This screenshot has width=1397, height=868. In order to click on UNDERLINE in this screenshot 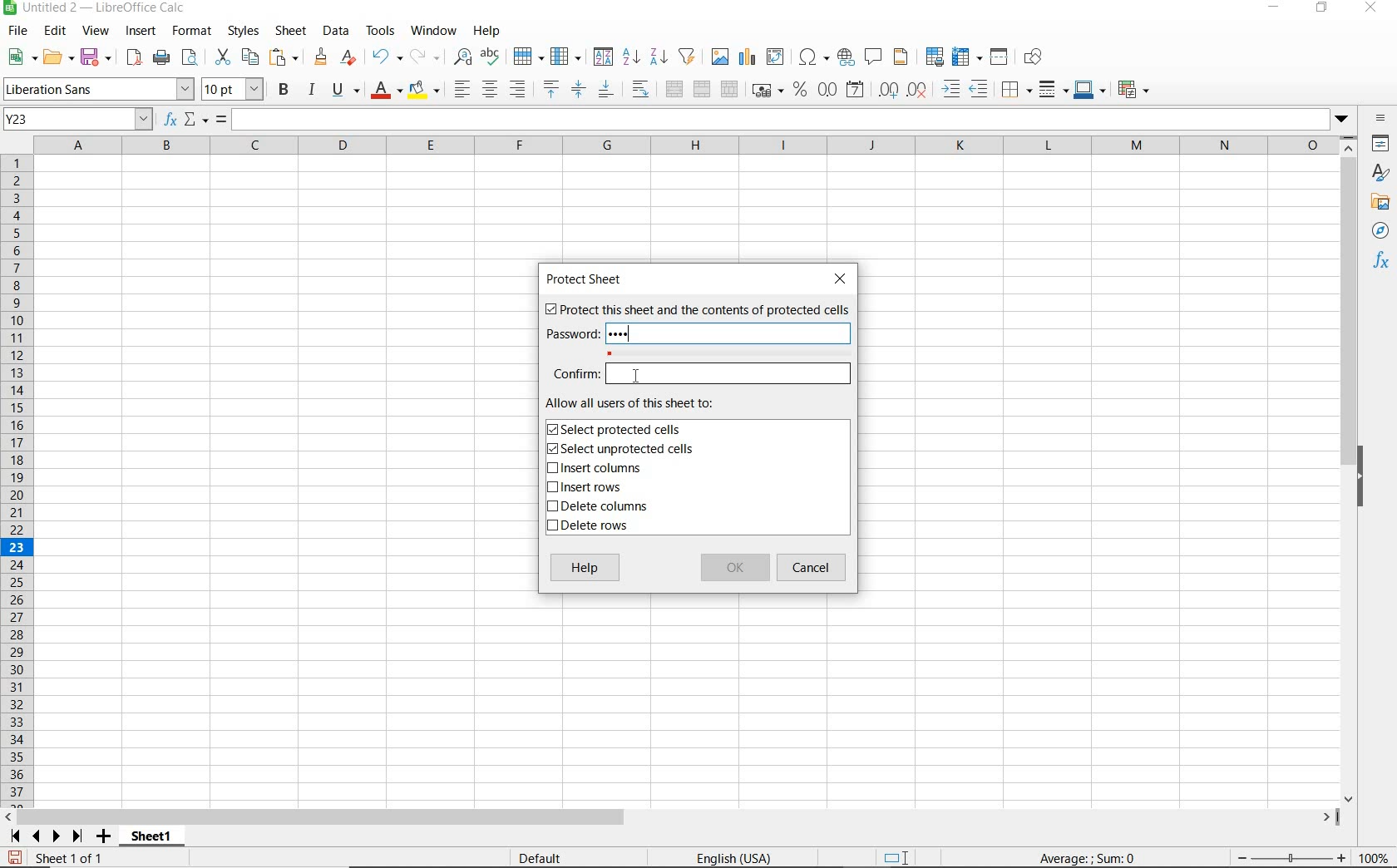, I will do `click(345, 91)`.